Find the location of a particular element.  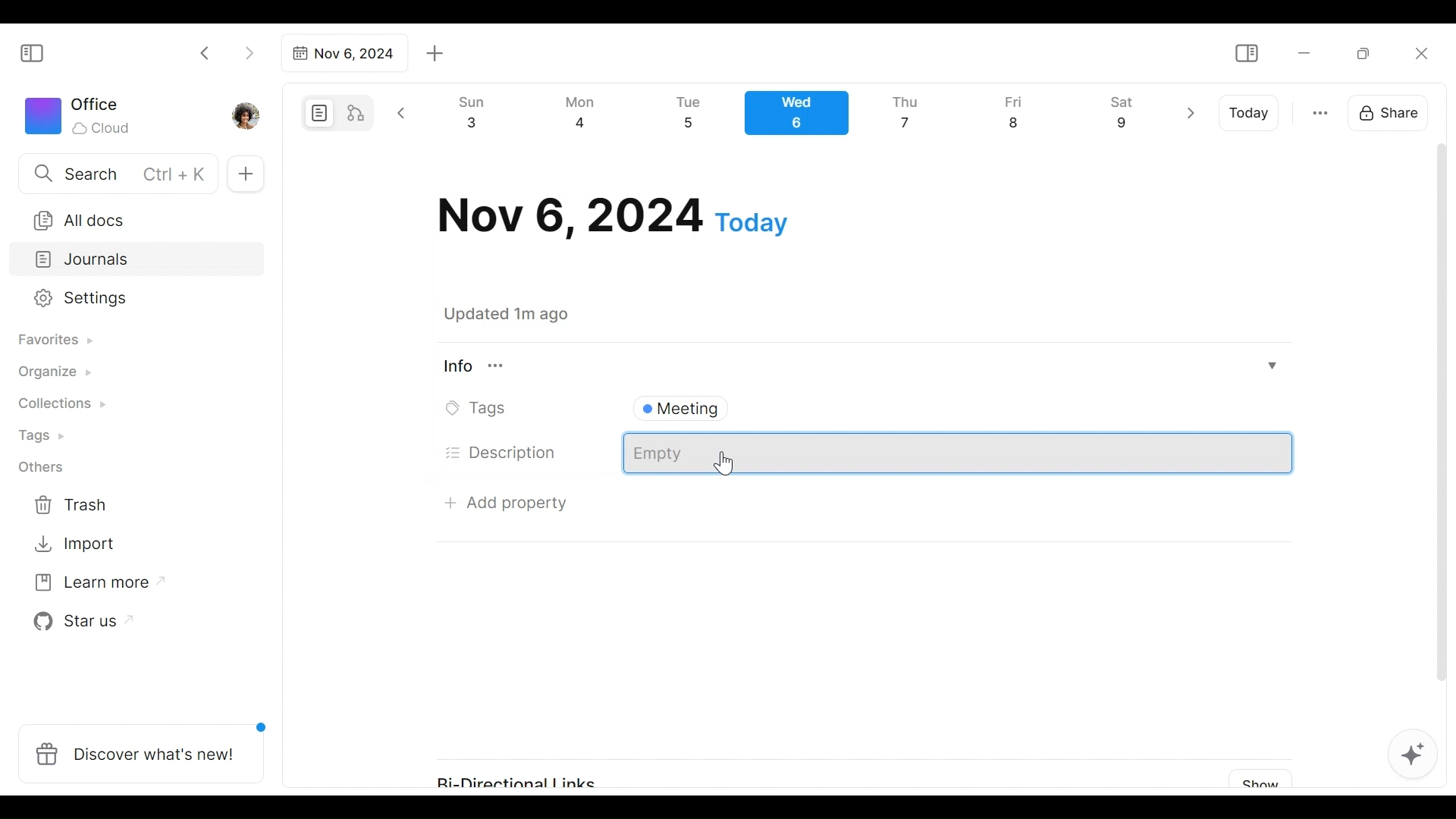

Click to go forward is located at coordinates (249, 52).